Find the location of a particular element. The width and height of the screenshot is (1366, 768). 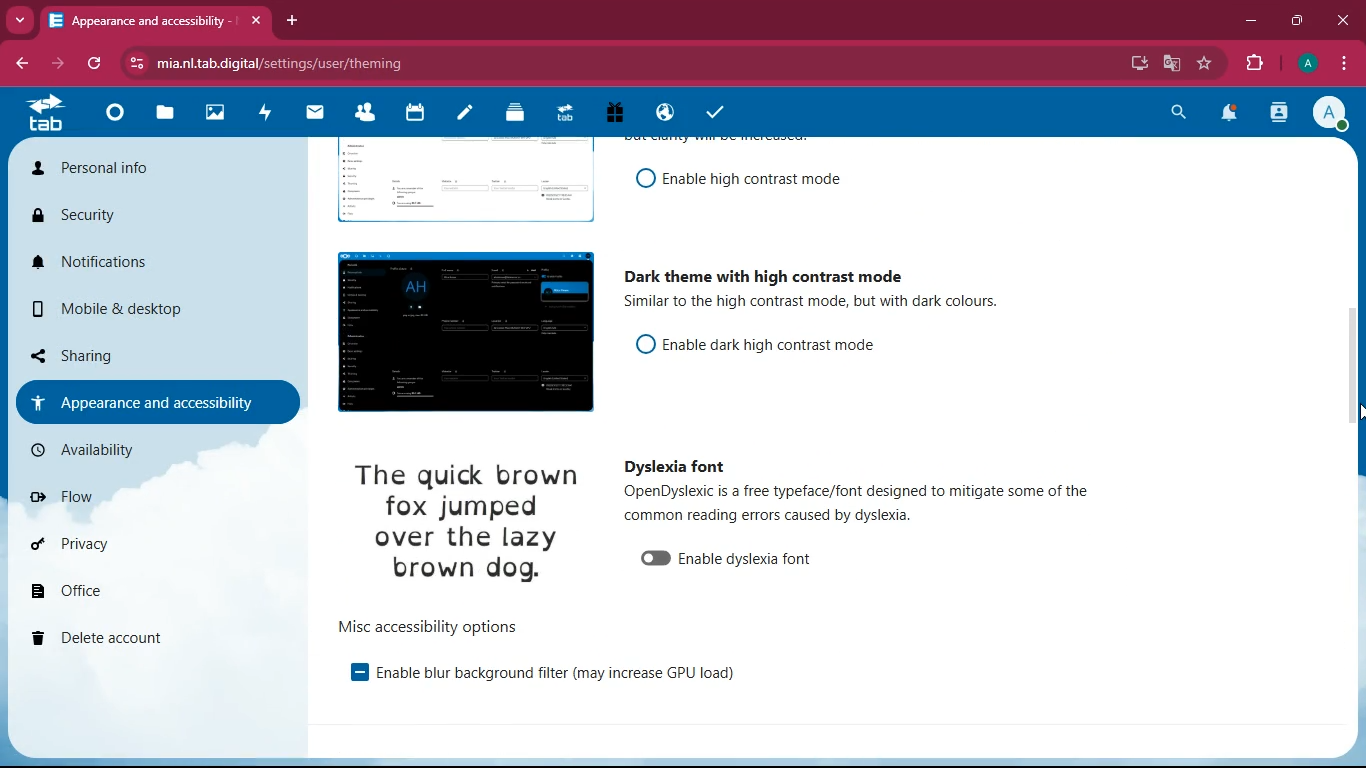

minimize is located at coordinates (1246, 21).